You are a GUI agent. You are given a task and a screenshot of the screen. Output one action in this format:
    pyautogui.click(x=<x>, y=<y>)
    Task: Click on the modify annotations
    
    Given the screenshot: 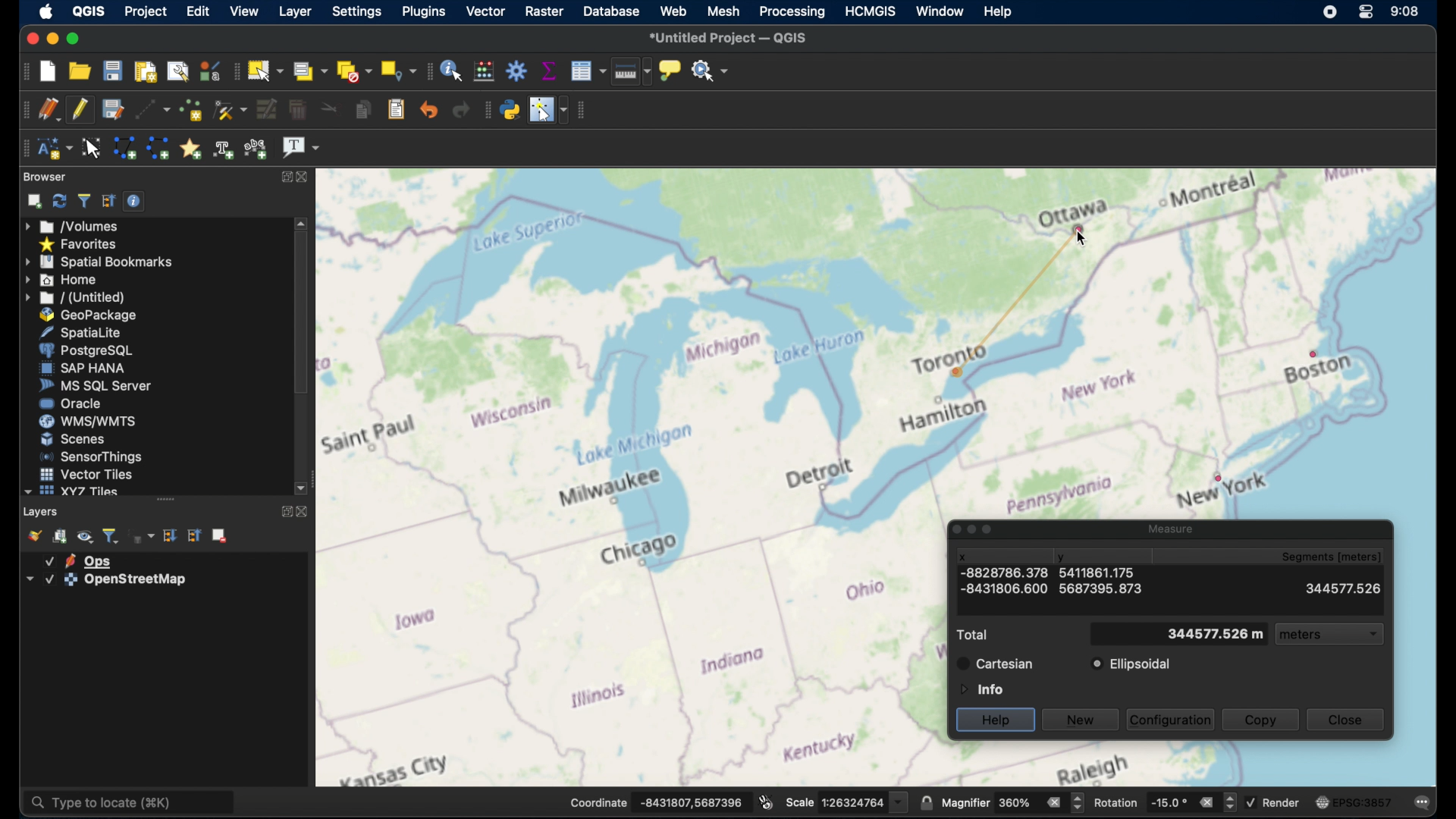 What is the action you would take?
    pyautogui.click(x=93, y=147)
    